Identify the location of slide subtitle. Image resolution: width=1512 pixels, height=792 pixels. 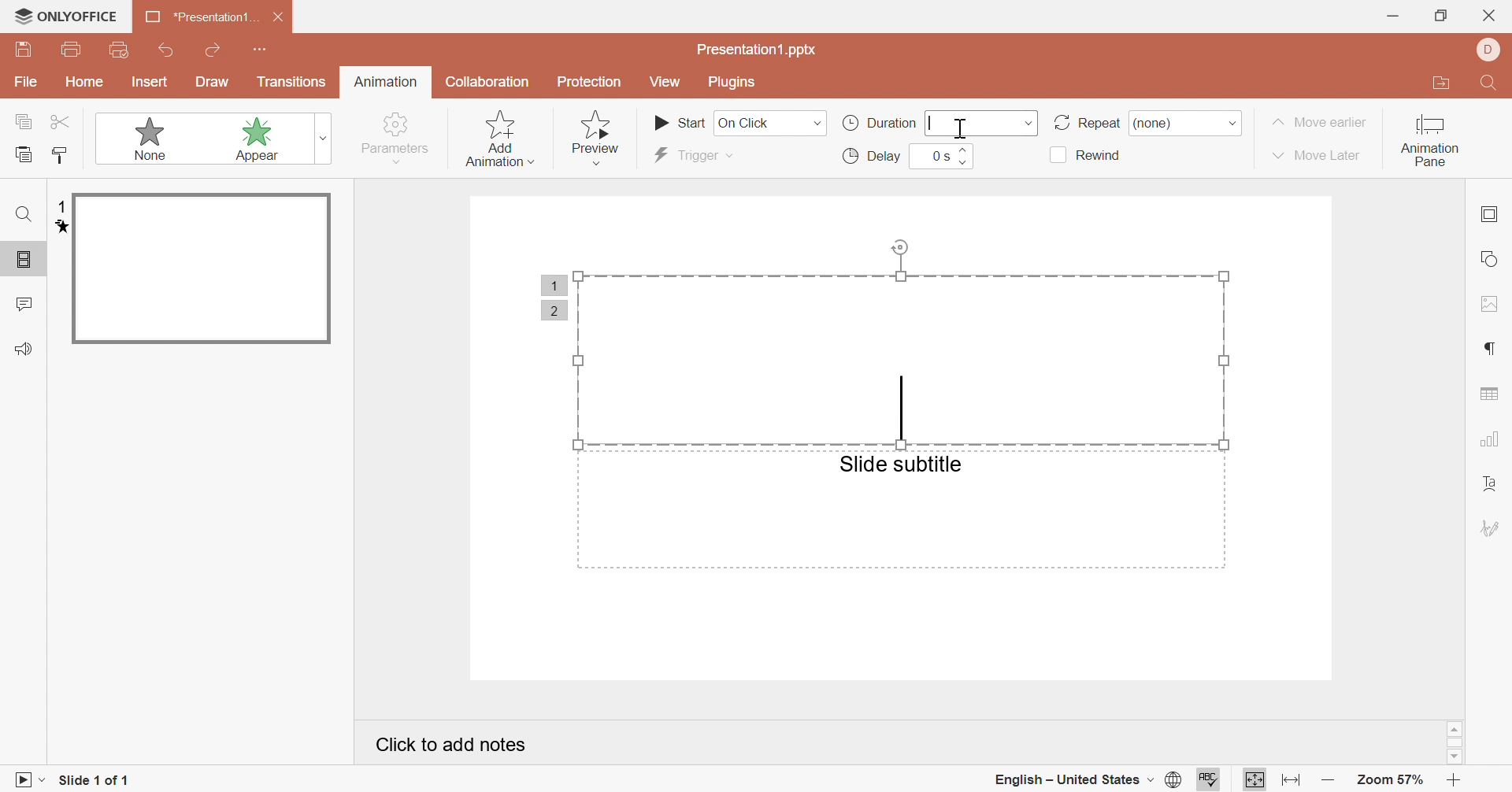
(901, 464).